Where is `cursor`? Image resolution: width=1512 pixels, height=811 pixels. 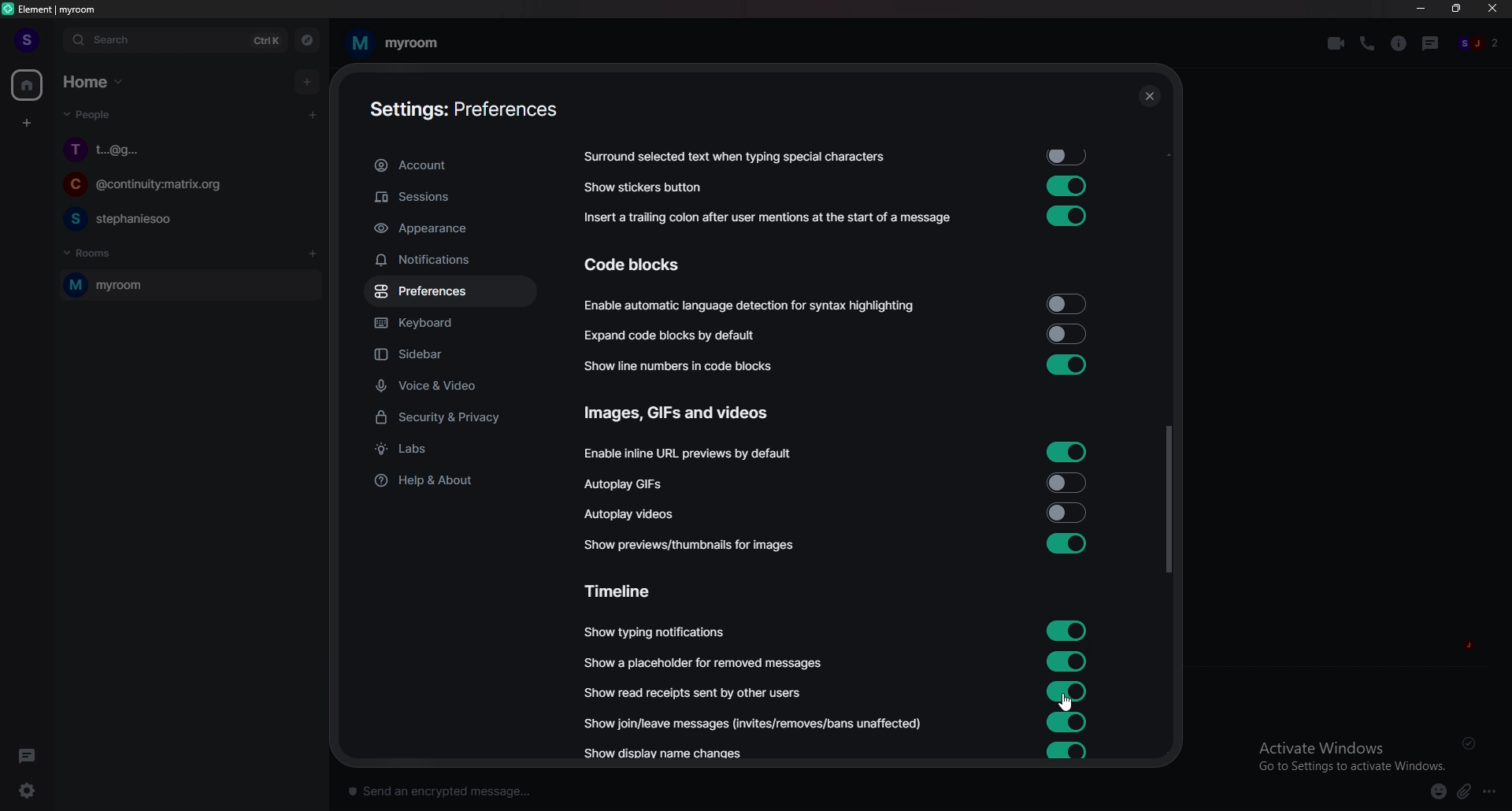
cursor is located at coordinates (1065, 702).